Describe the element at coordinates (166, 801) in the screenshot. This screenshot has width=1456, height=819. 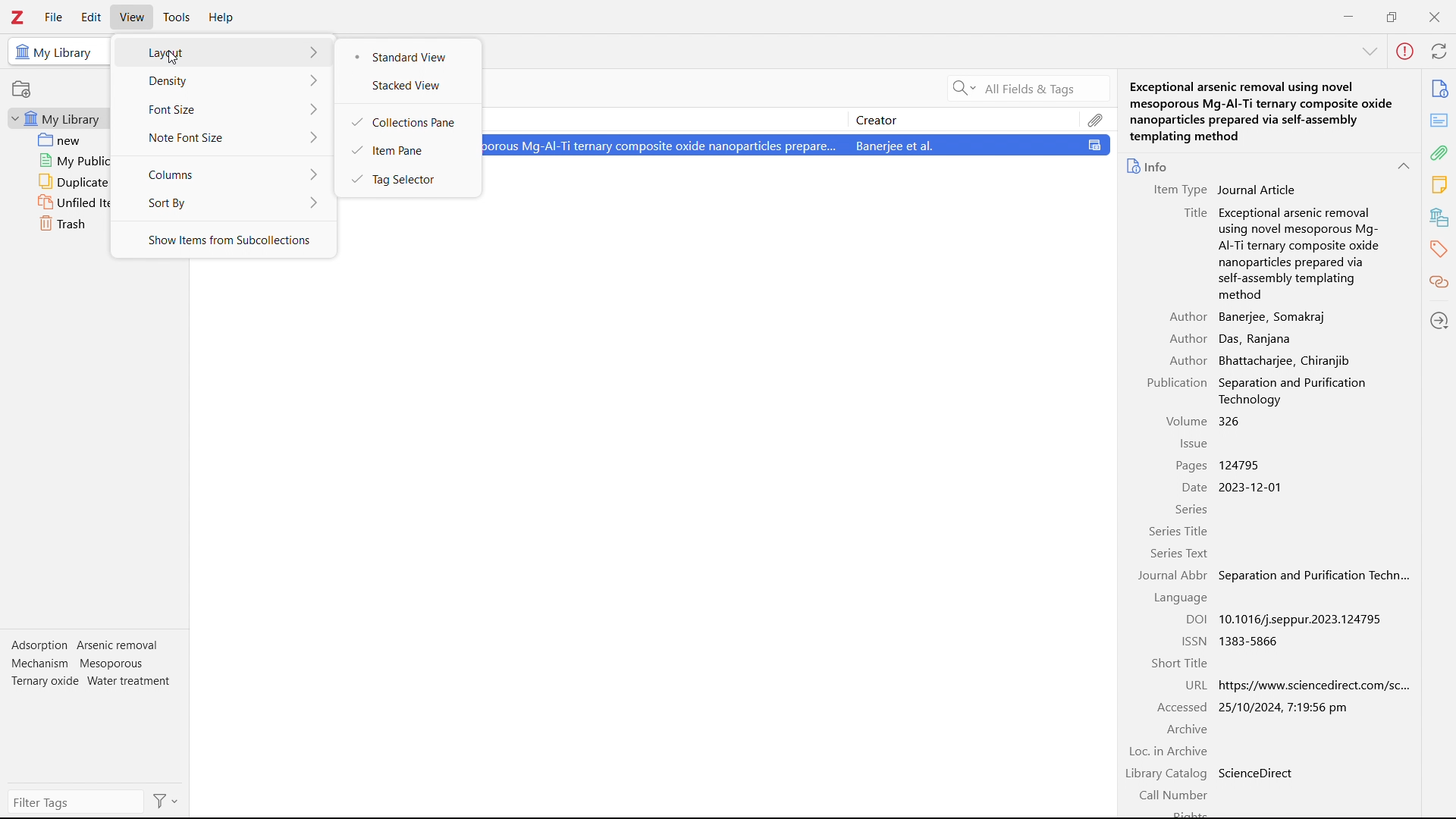
I see `Filters` at that location.